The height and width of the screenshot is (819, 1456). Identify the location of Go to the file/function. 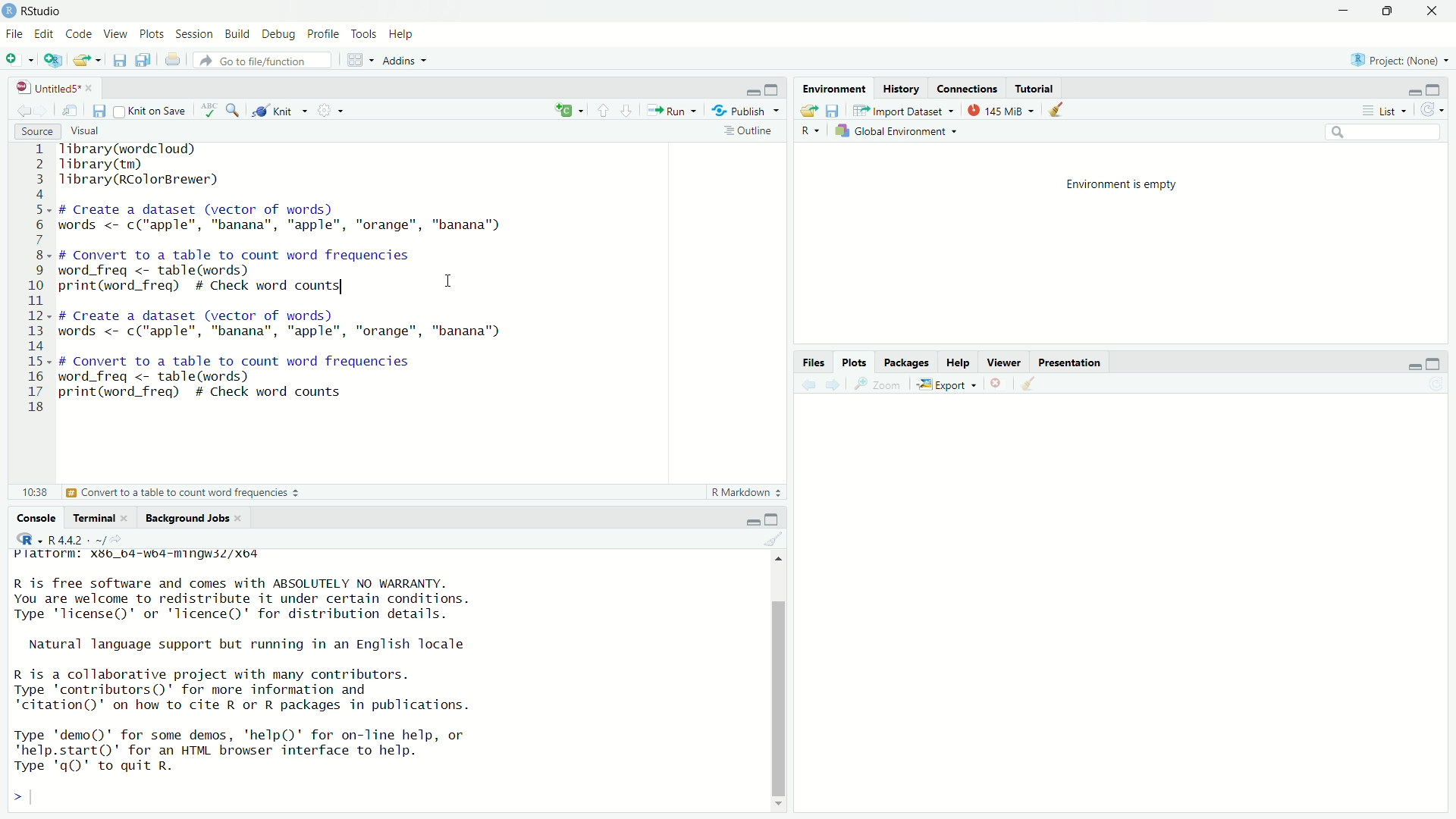
(262, 61).